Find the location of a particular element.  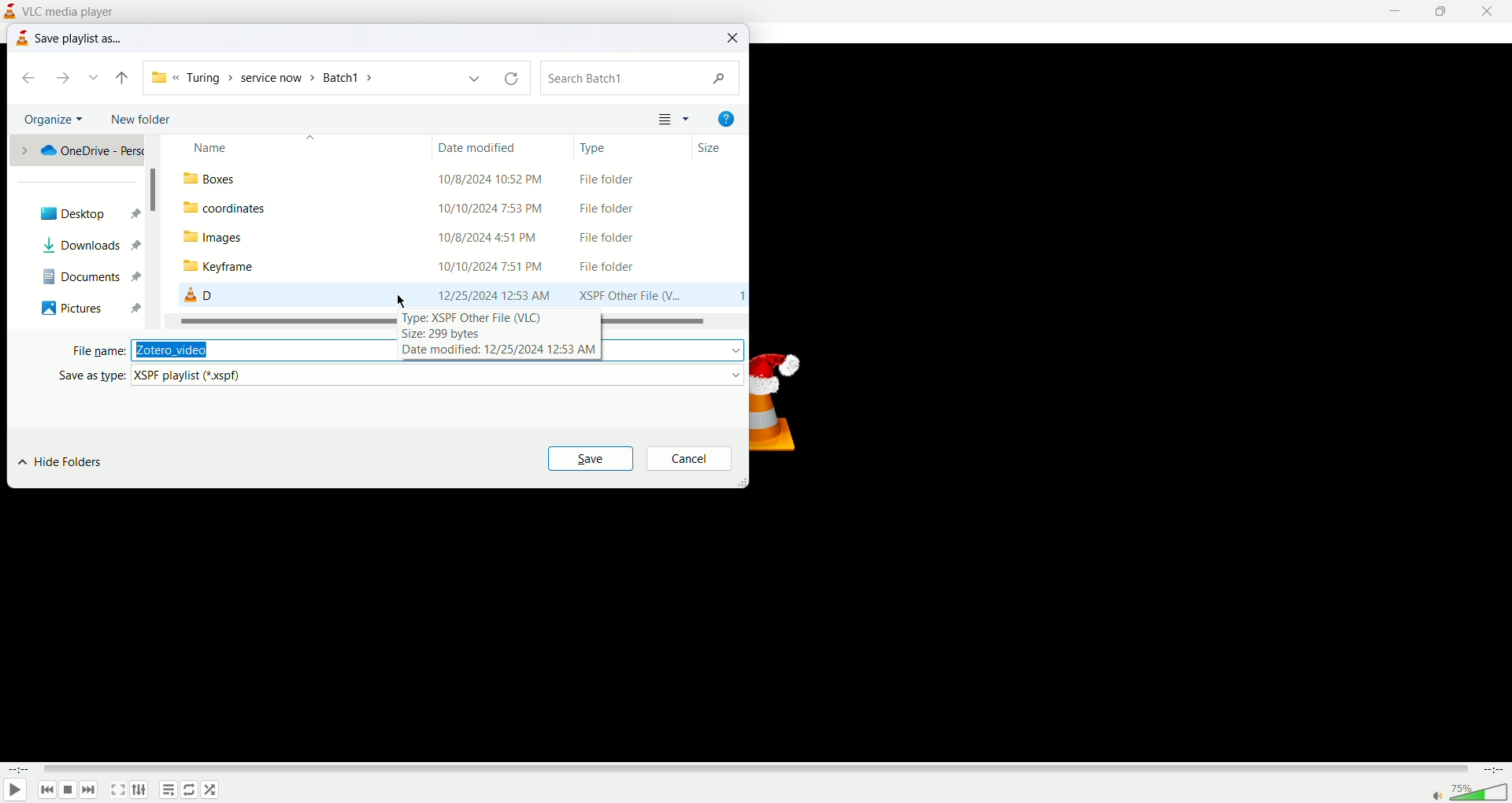

maximize is located at coordinates (1447, 11).